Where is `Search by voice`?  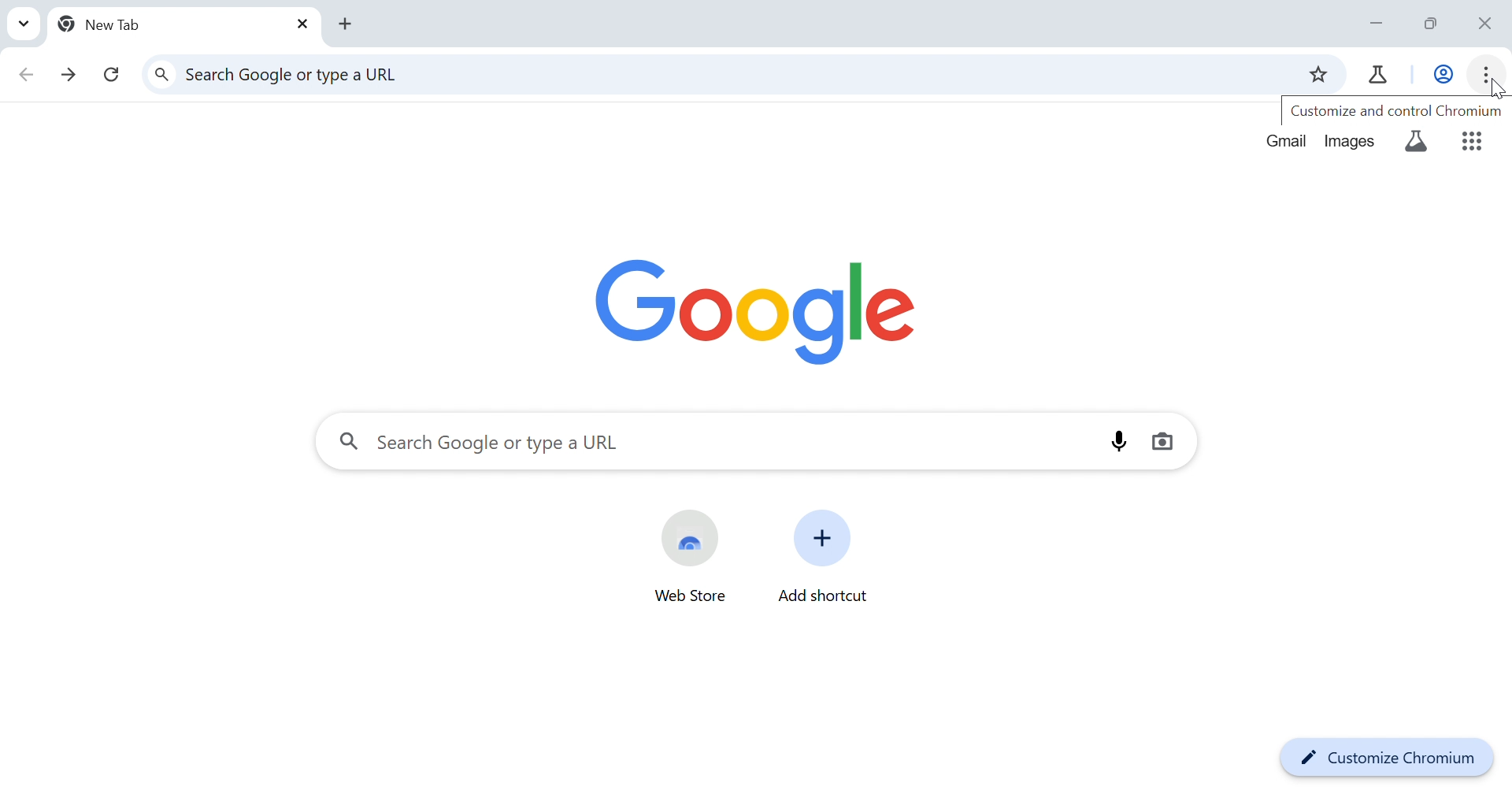 Search by voice is located at coordinates (1118, 440).